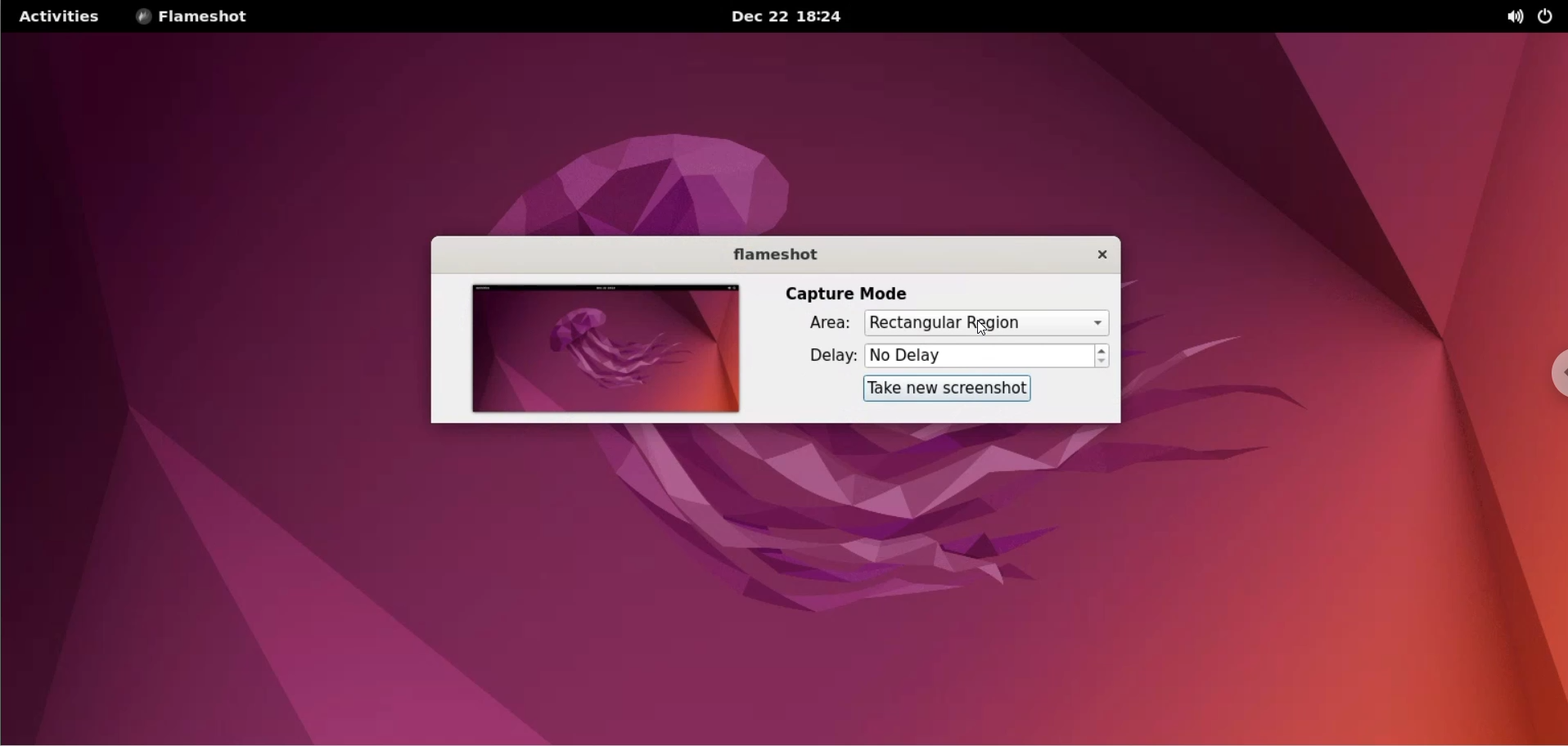 The height and width of the screenshot is (746, 1568). Describe the element at coordinates (1094, 256) in the screenshot. I see `close ` at that location.